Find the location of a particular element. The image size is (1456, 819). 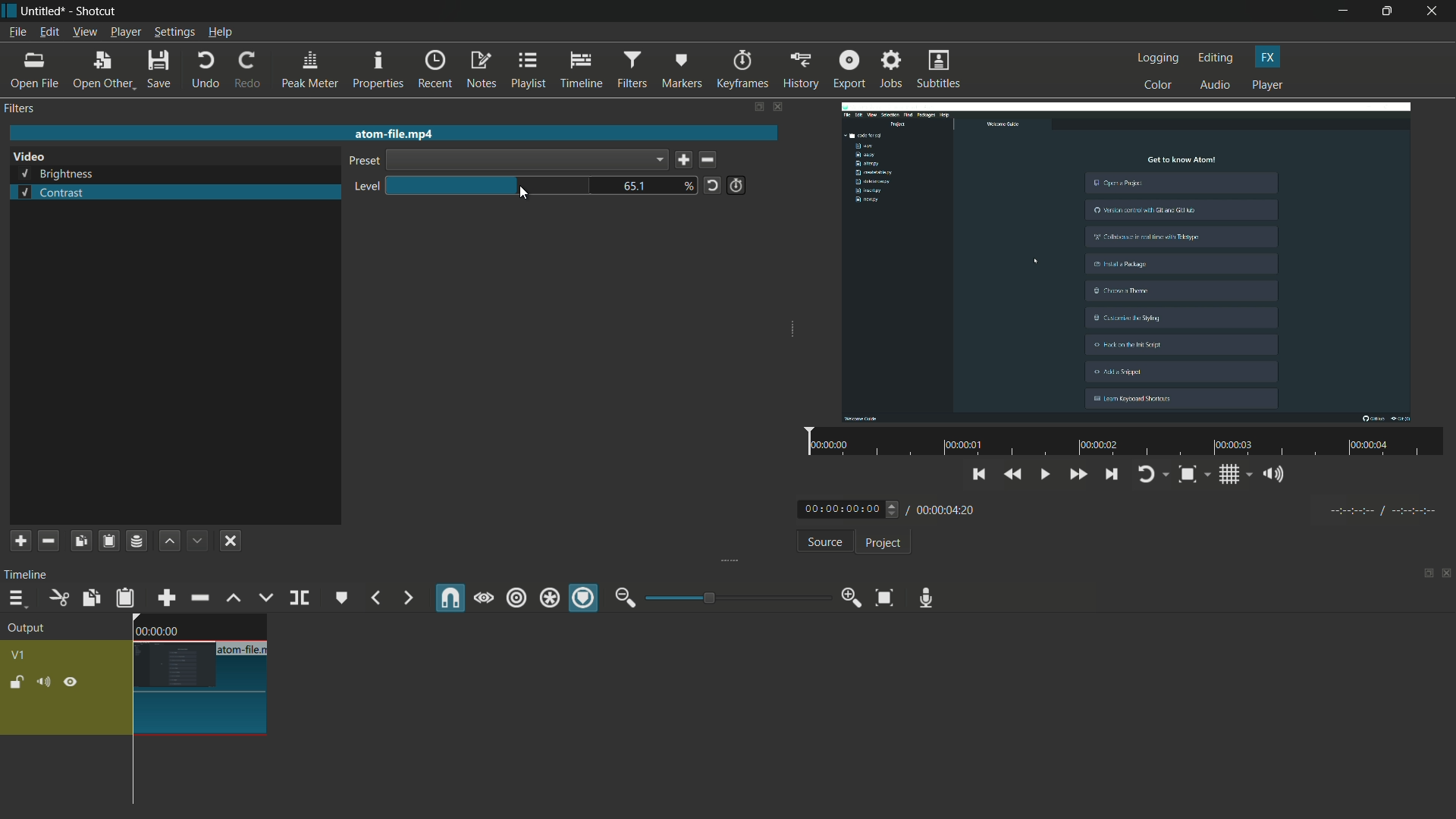

paste filters is located at coordinates (108, 541).